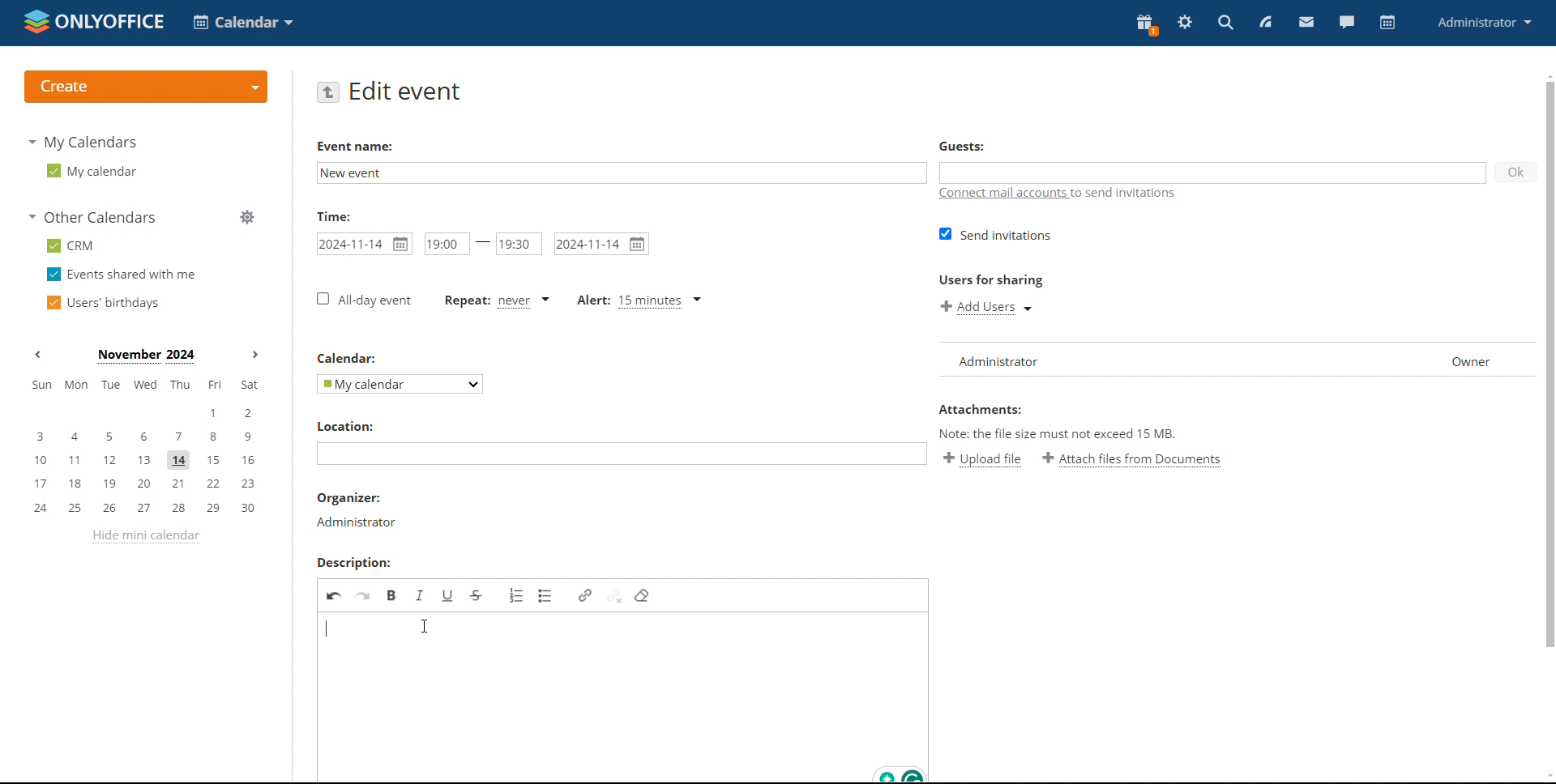 The height and width of the screenshot is (784, 1556). Describe the element at coordinates (247, 219) in the screenshot. I see `manage` at that location.